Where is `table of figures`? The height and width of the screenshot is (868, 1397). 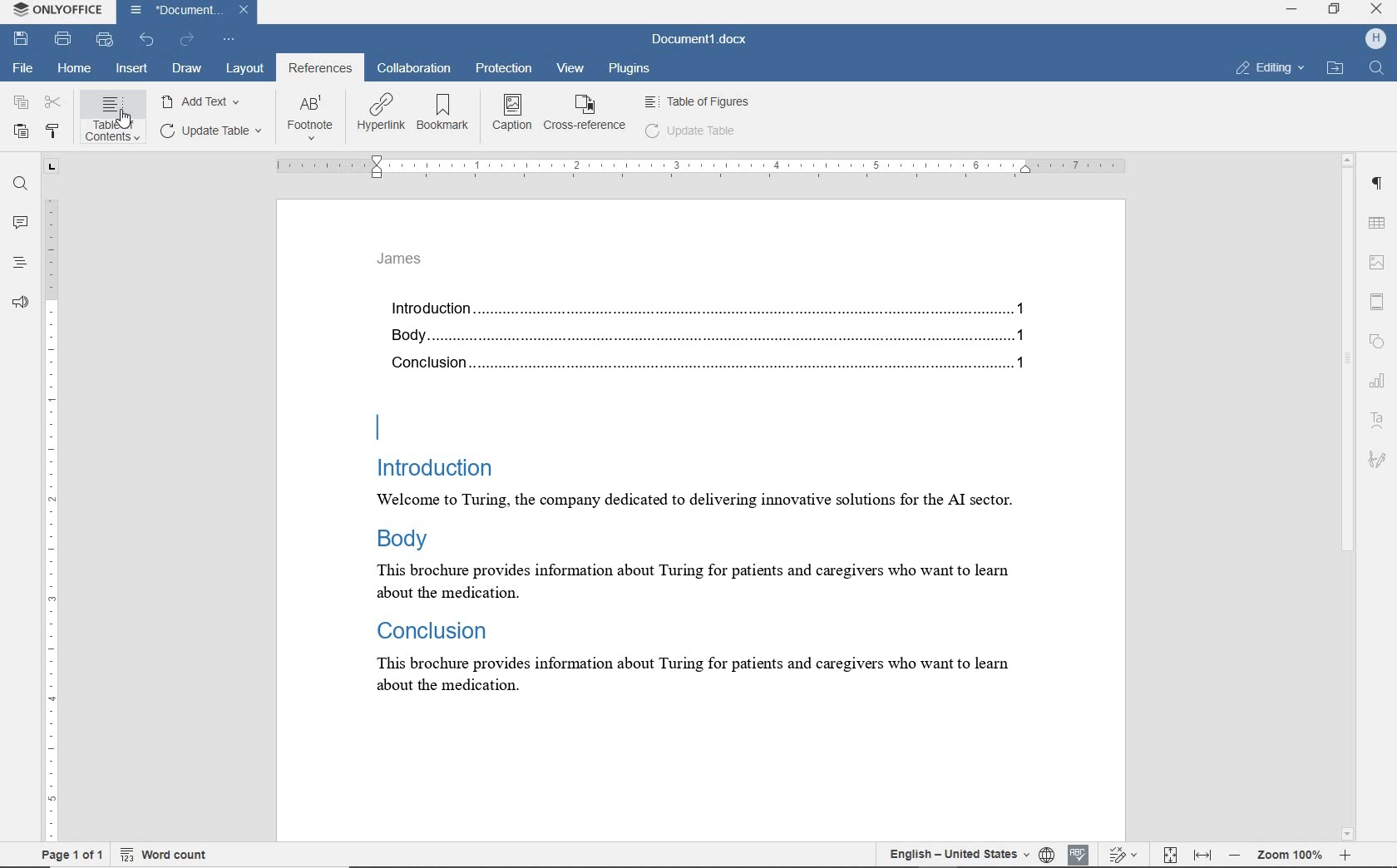
table of figures is located at coordinates (698, 102).